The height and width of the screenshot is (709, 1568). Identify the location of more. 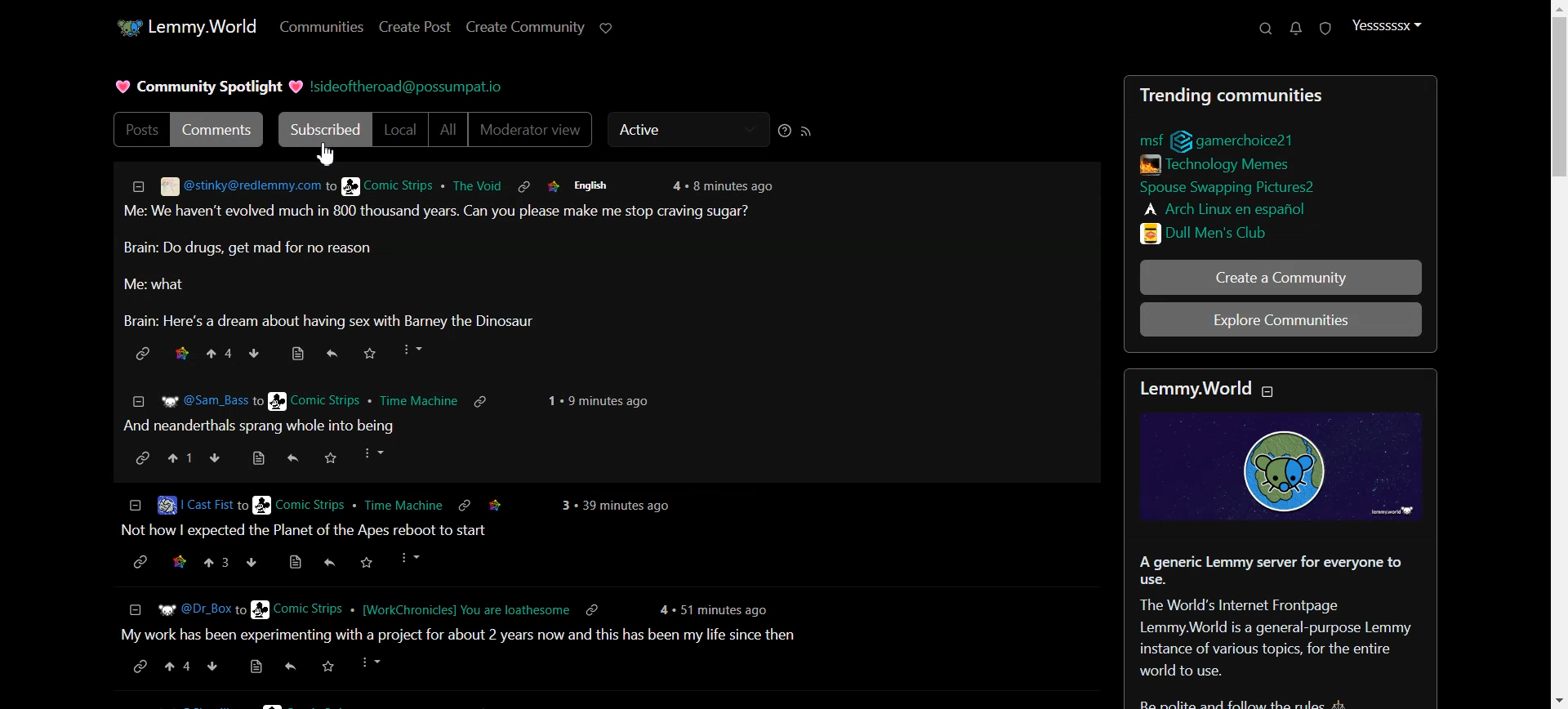
(412, 350).